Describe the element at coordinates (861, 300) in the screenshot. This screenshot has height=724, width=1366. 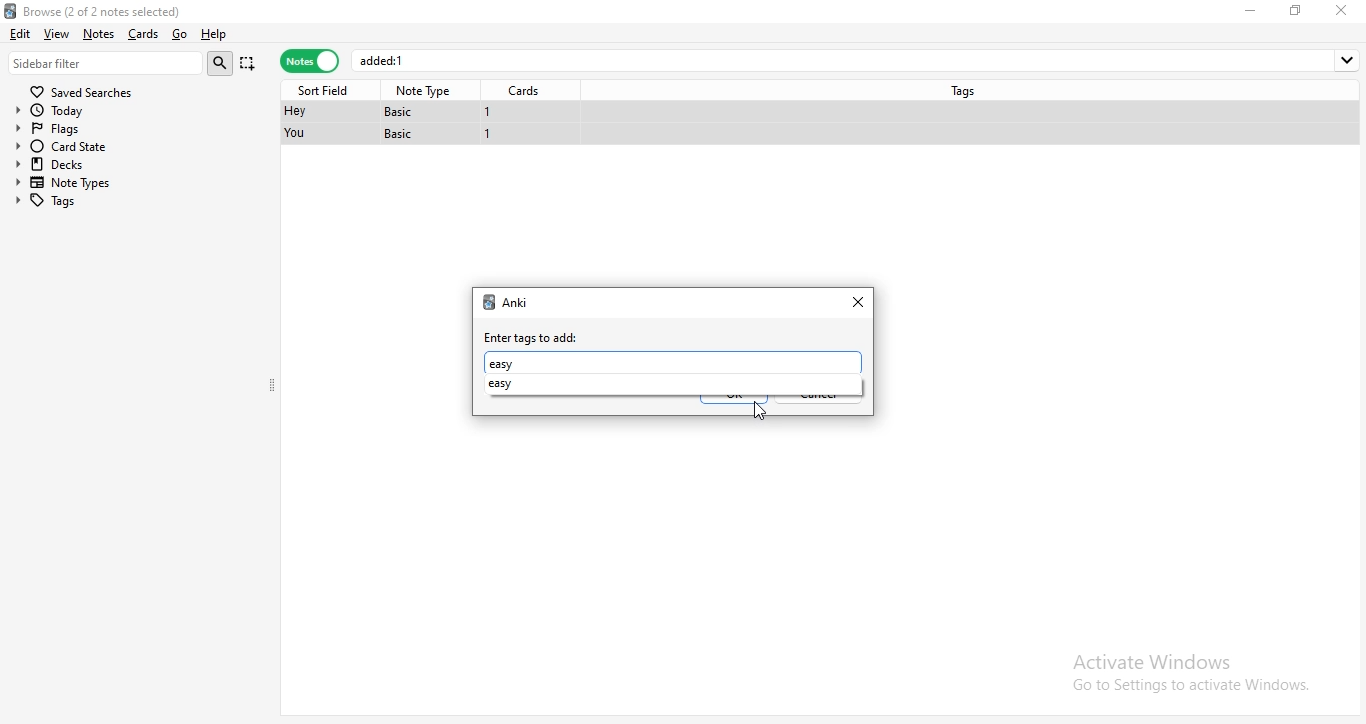
I see `close` at that location.